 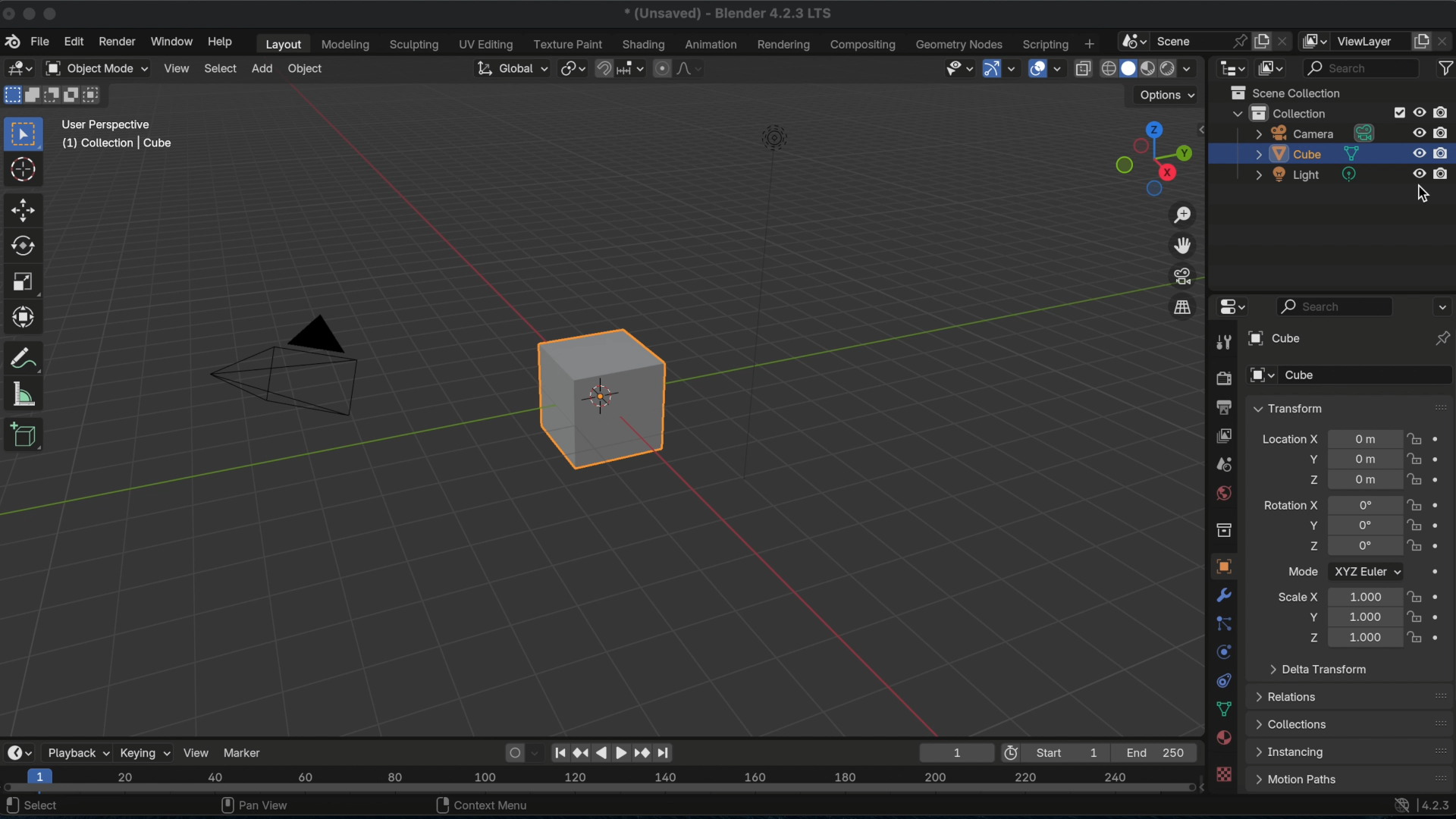 What do you see at coordinates (1181, 244) in the screenshot?
I see `move the view` at bounding box center [1181, 244].